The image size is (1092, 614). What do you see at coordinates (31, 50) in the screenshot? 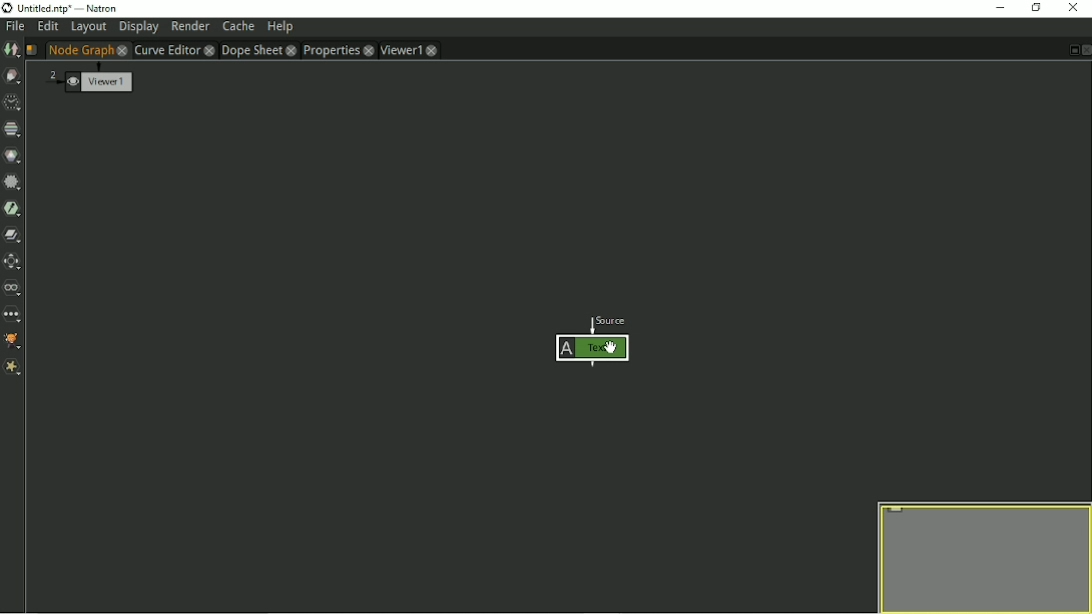
I see `Script name` at bounding box center [31, 50].